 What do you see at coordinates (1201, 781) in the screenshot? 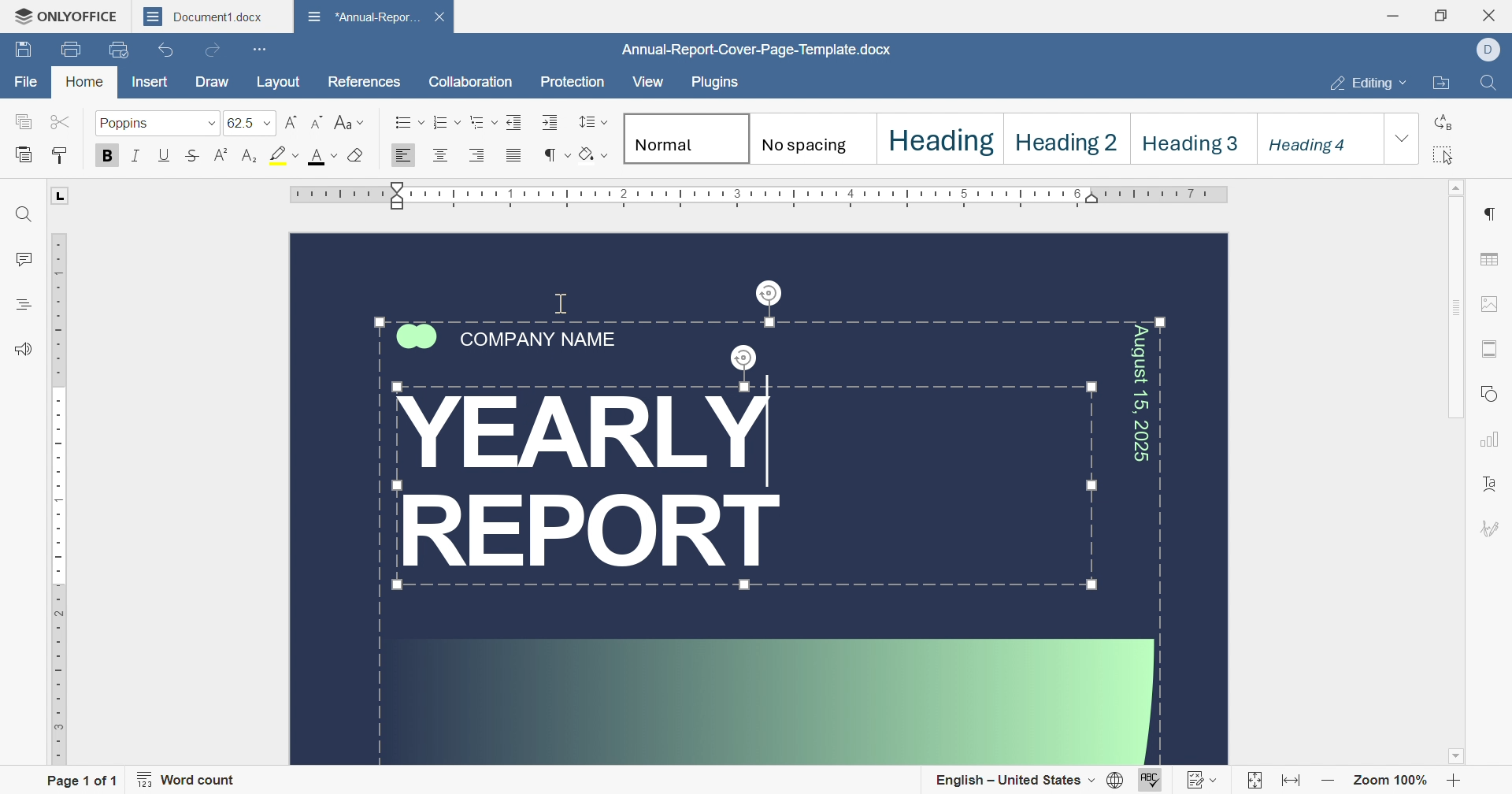
I see `track changes` at bounding box center [1201, 781].